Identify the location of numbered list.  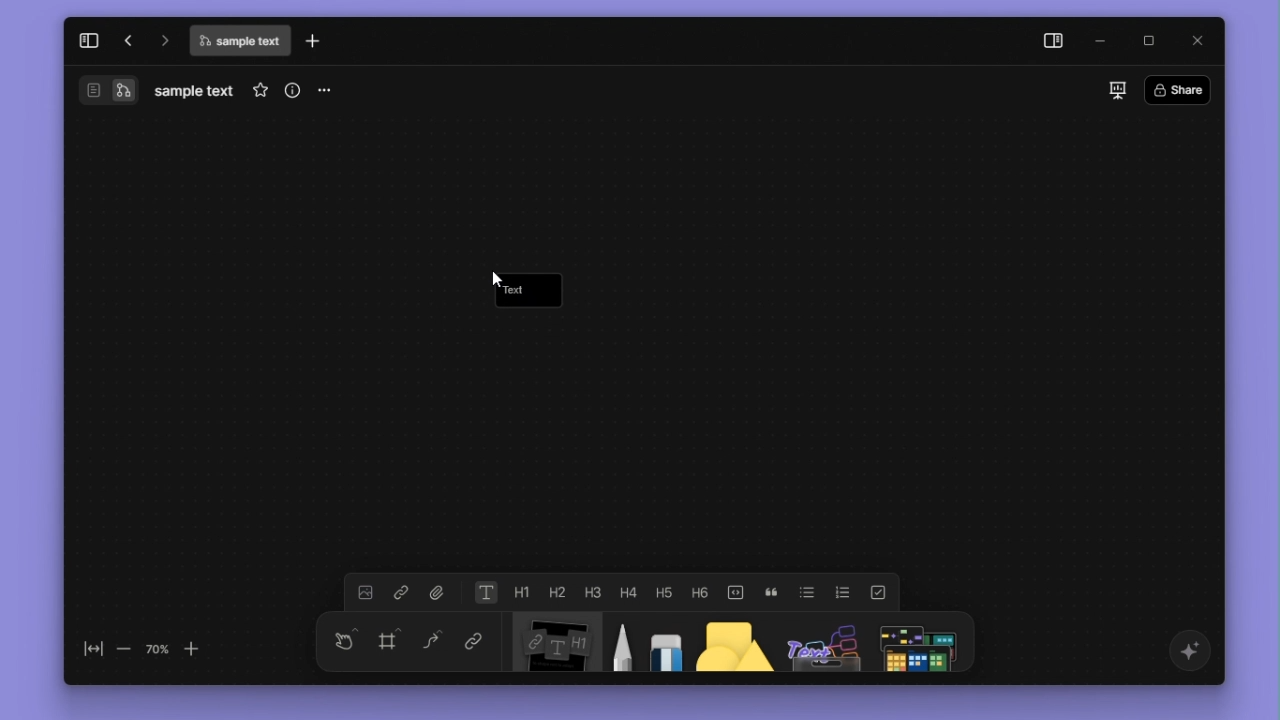
(843, 591).